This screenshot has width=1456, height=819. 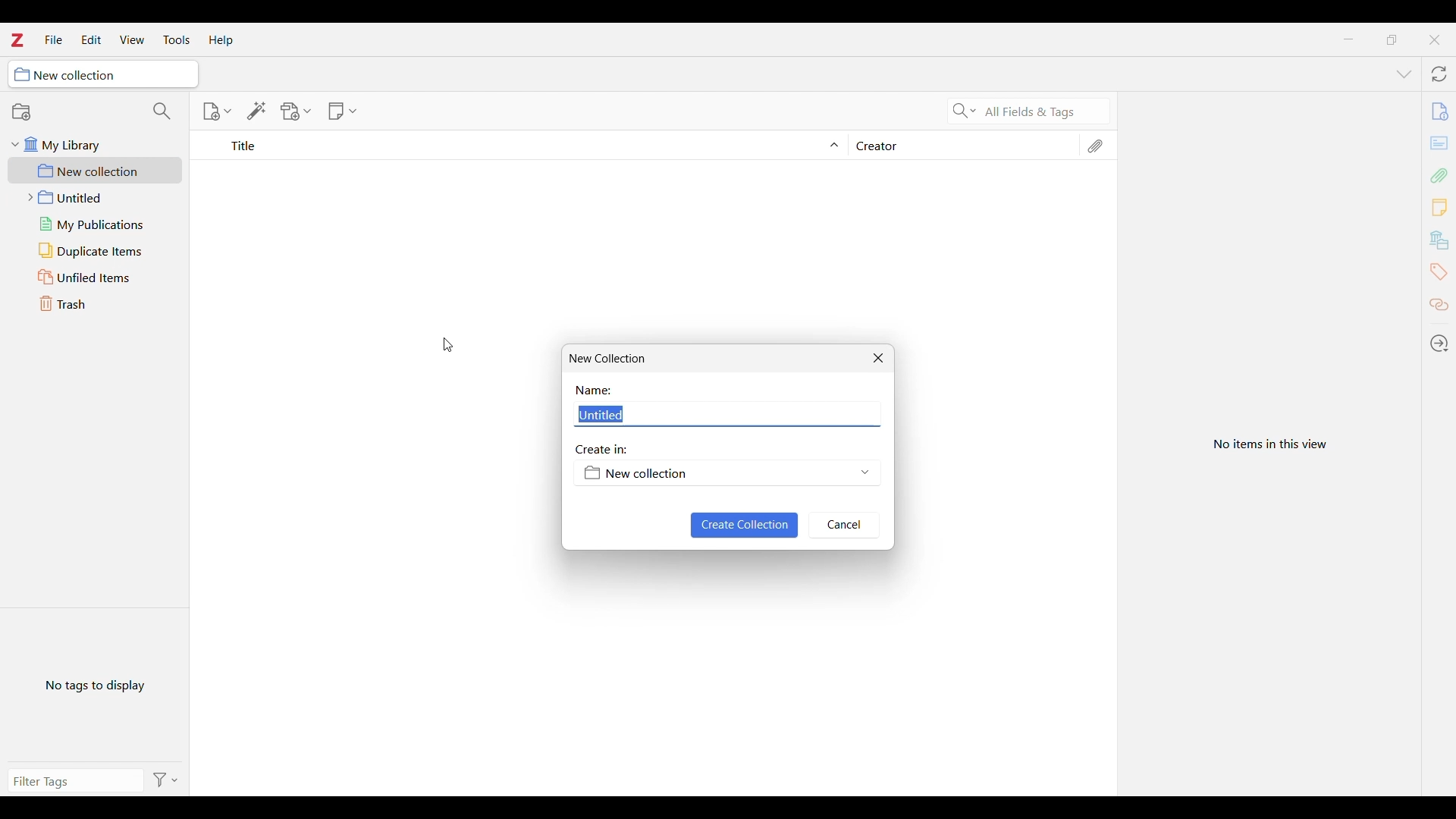 What do you see at coordinates (95, 277) in the screenshot?
I see `Unfiled items folder` at bounding box center [95, 277].